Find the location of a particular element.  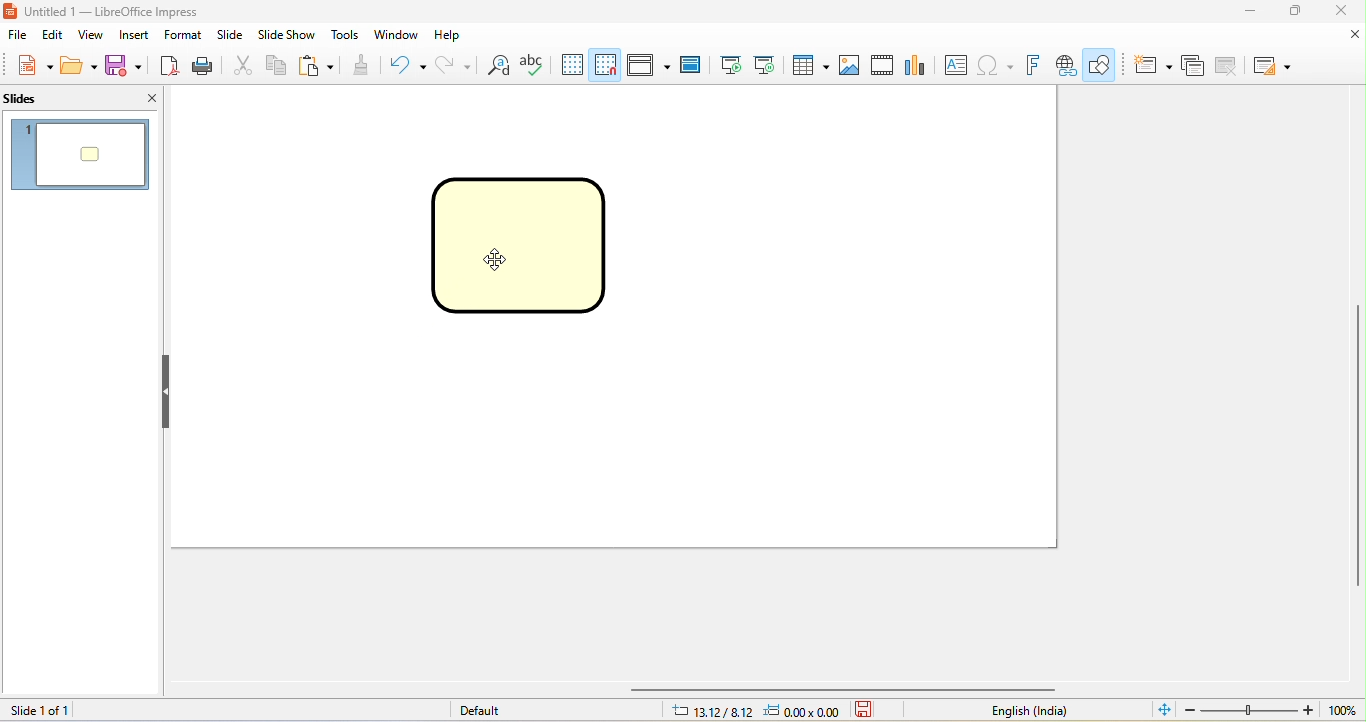

cursor is located at coordinates (496, 257).